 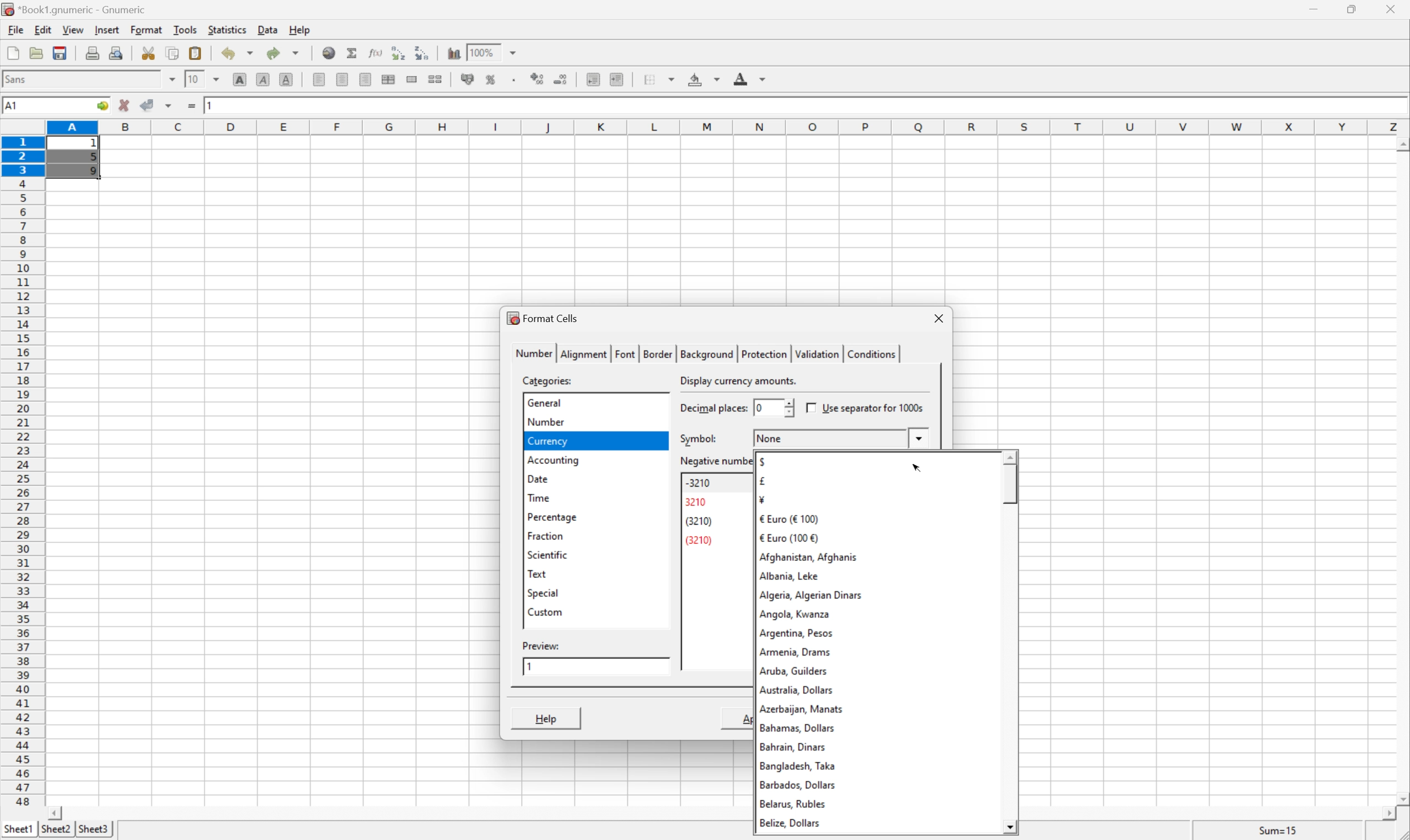 I want to click on bold, so click(x=242, y=80).